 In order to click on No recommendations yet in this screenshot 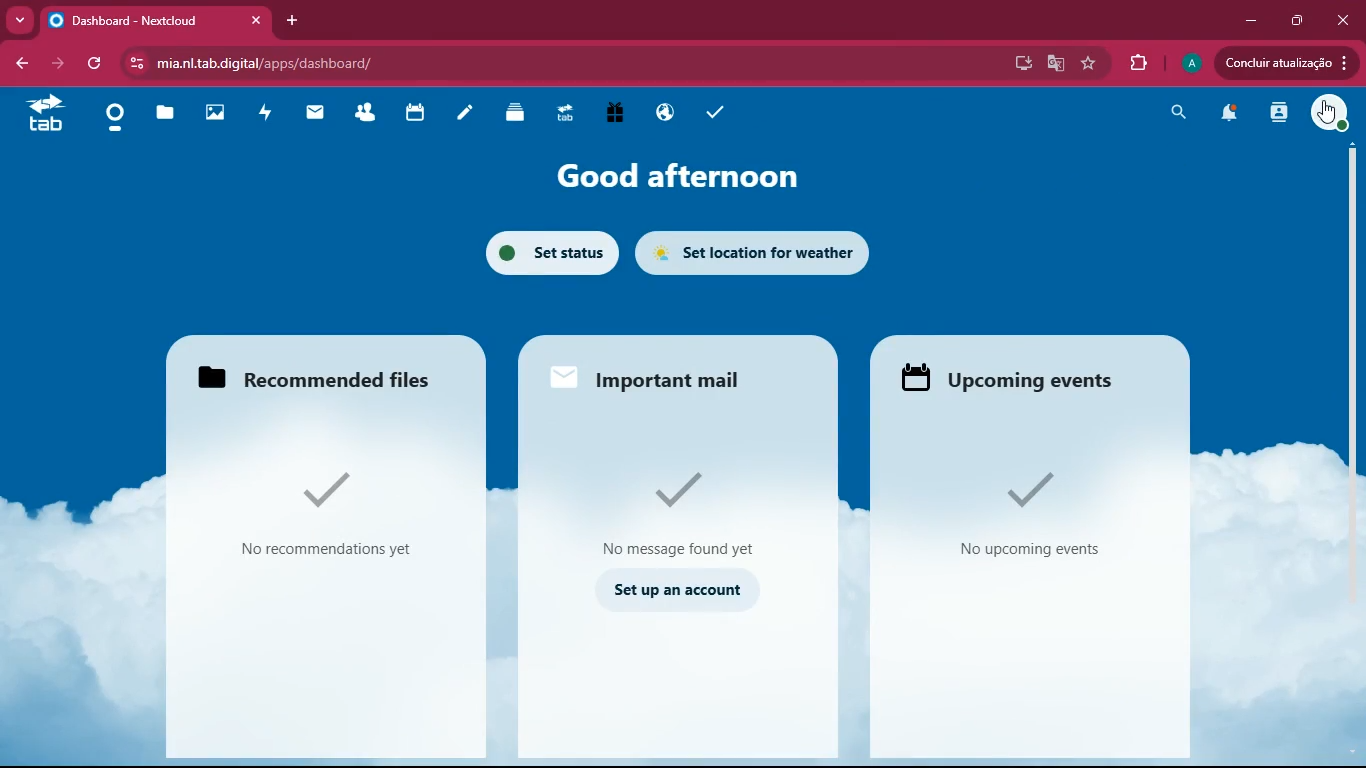, I will do `click(322, 516)`.